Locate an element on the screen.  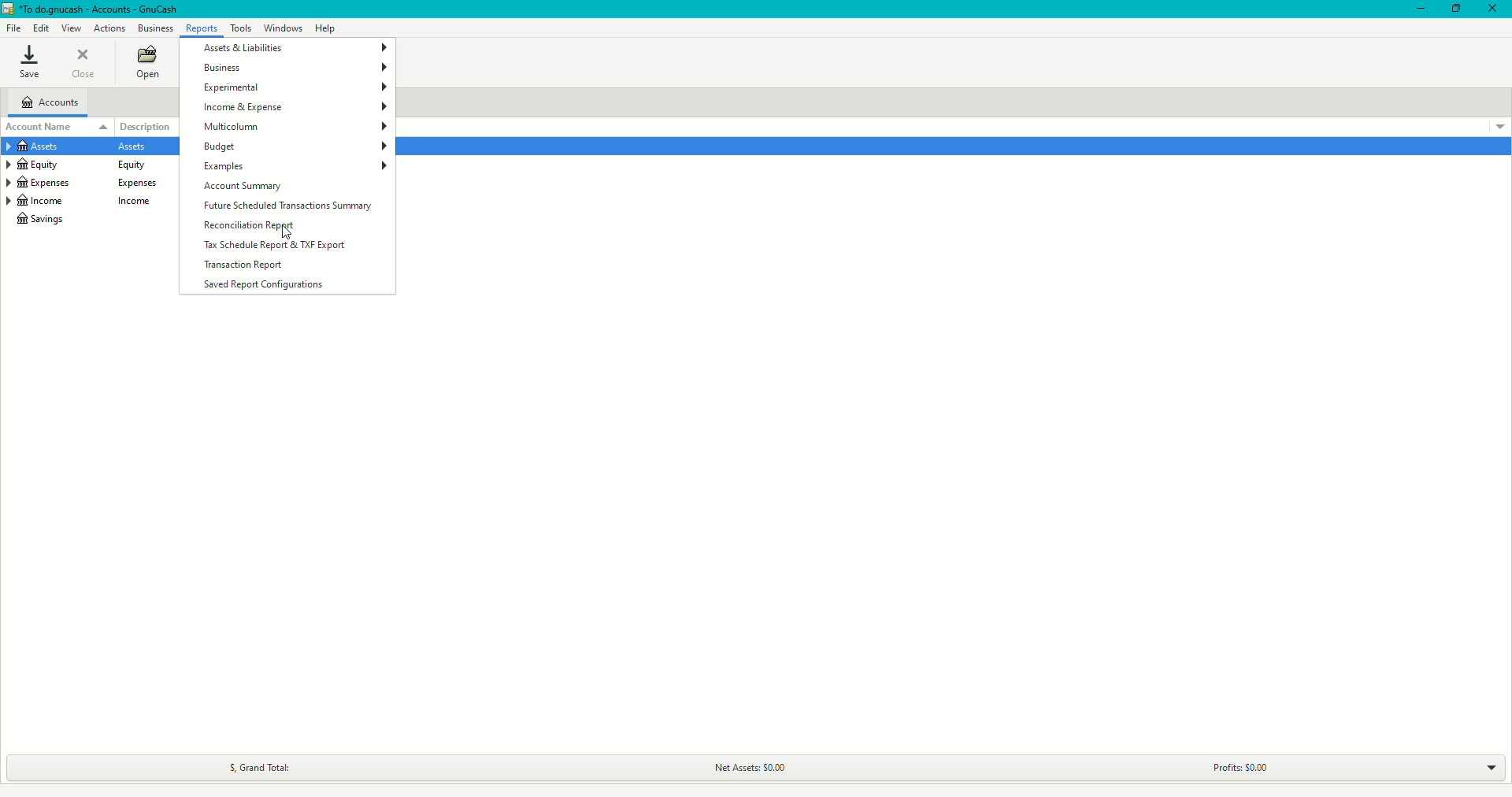
Income is located at coordinates (90, 201).